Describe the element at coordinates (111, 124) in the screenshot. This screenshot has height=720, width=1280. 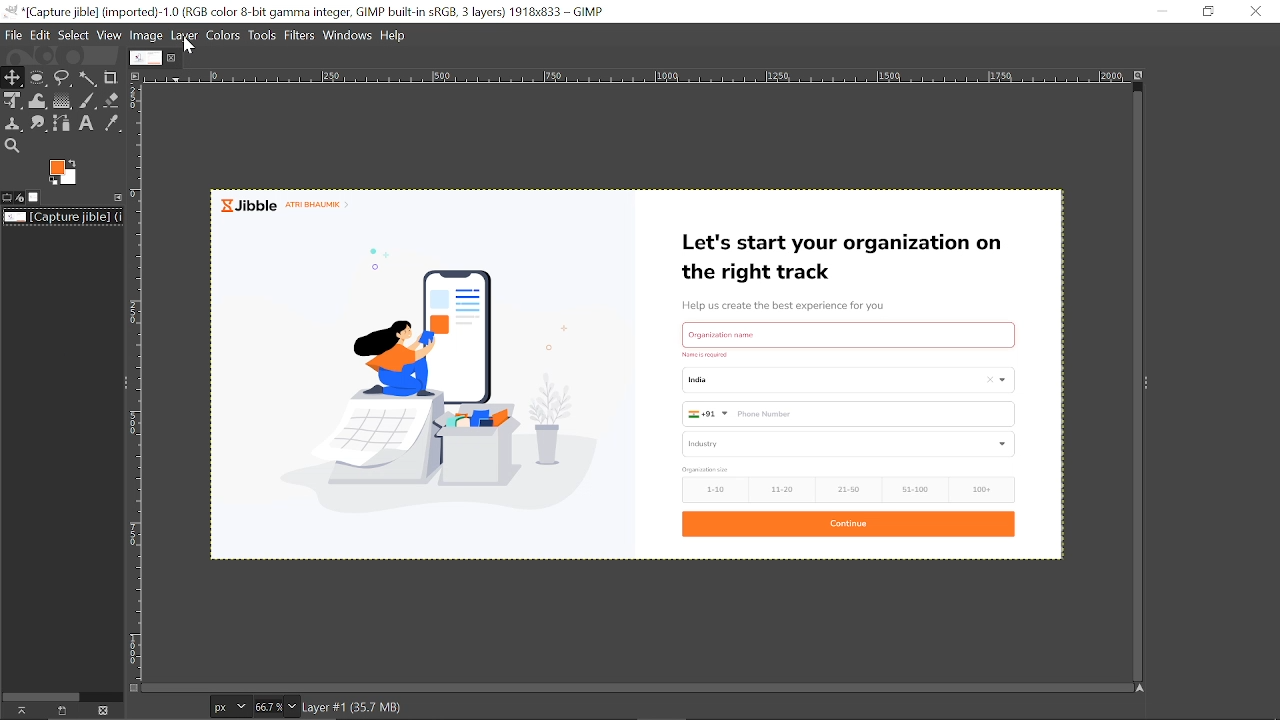
I see `Color picker tool` at that location.